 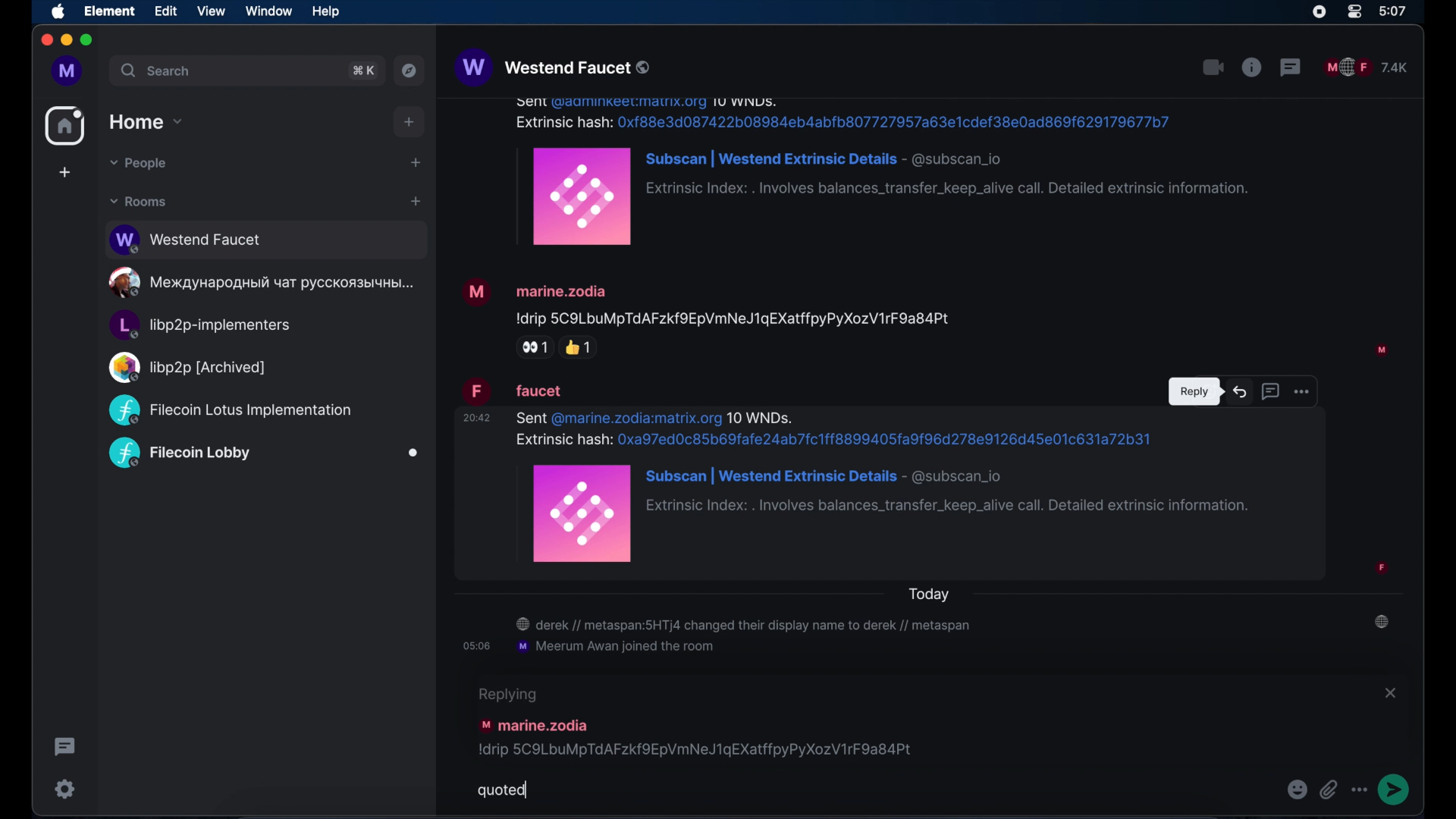 I want to click on control center, so click(x=1354, y=12).